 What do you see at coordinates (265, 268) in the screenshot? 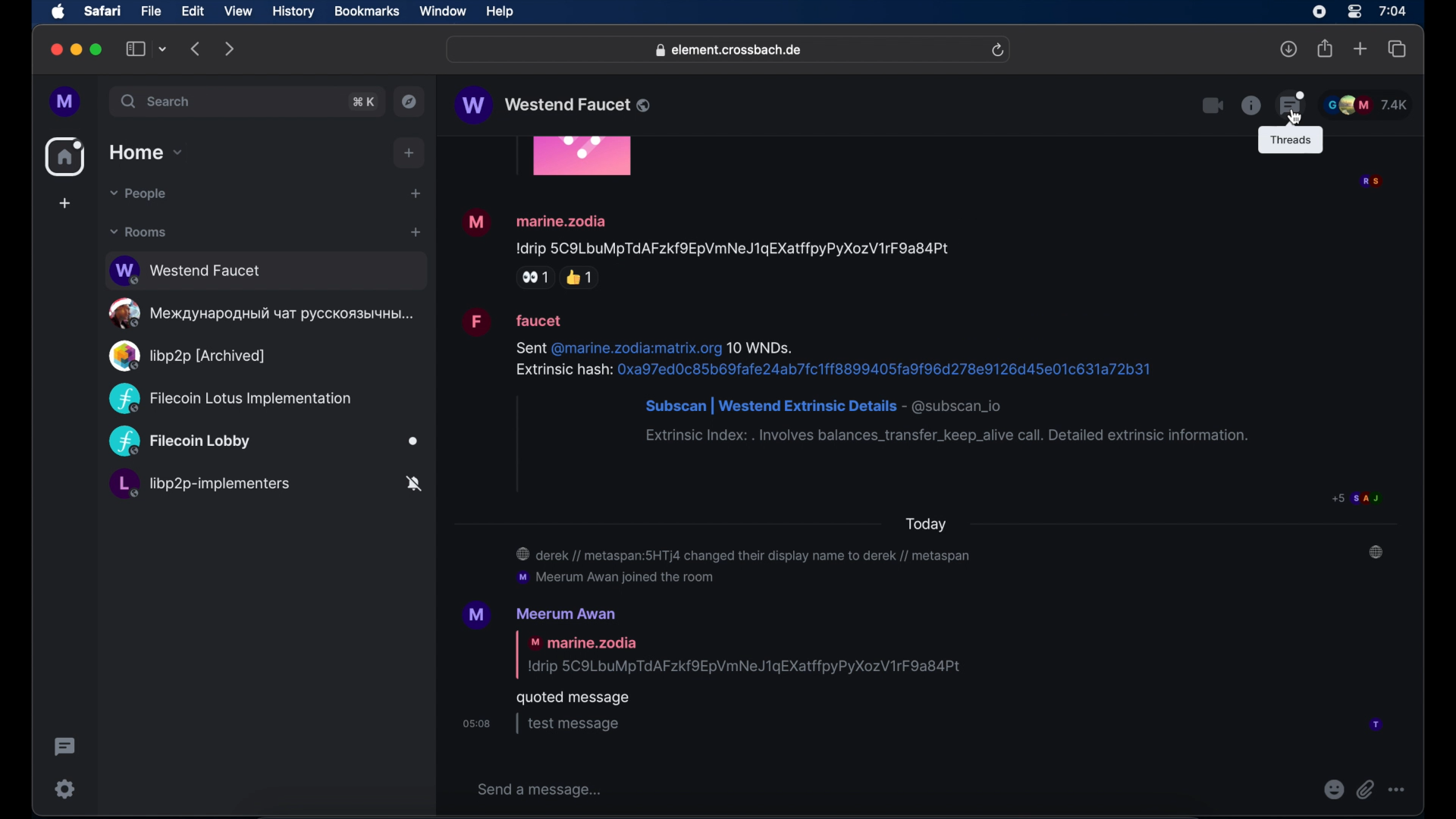
I see `Westend Faucet` at bounding box center [265, 268].